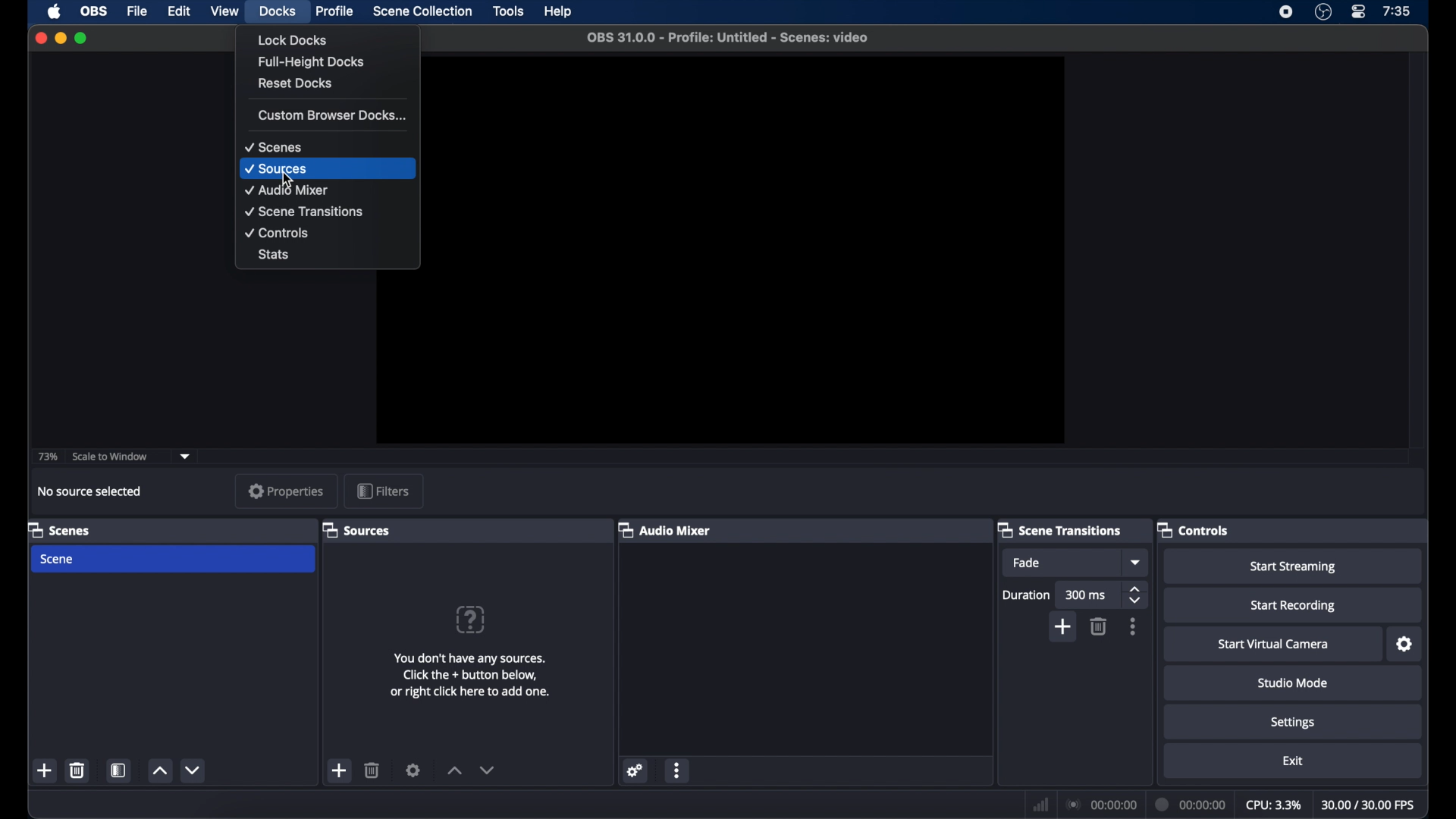 The width and height of the screenshot is (1456, 819). I want to click on 7.35, so click(1397, 12).